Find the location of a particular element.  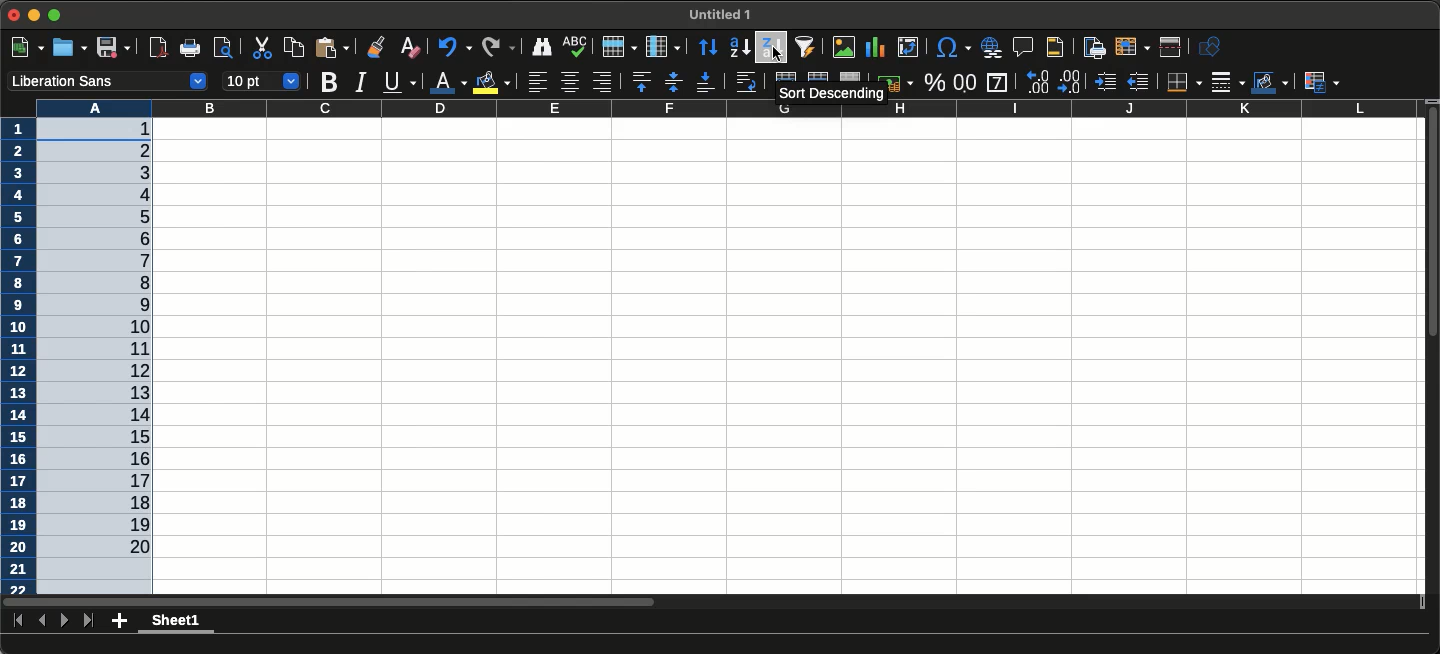

Scrol is located at coordinates (330, 604).